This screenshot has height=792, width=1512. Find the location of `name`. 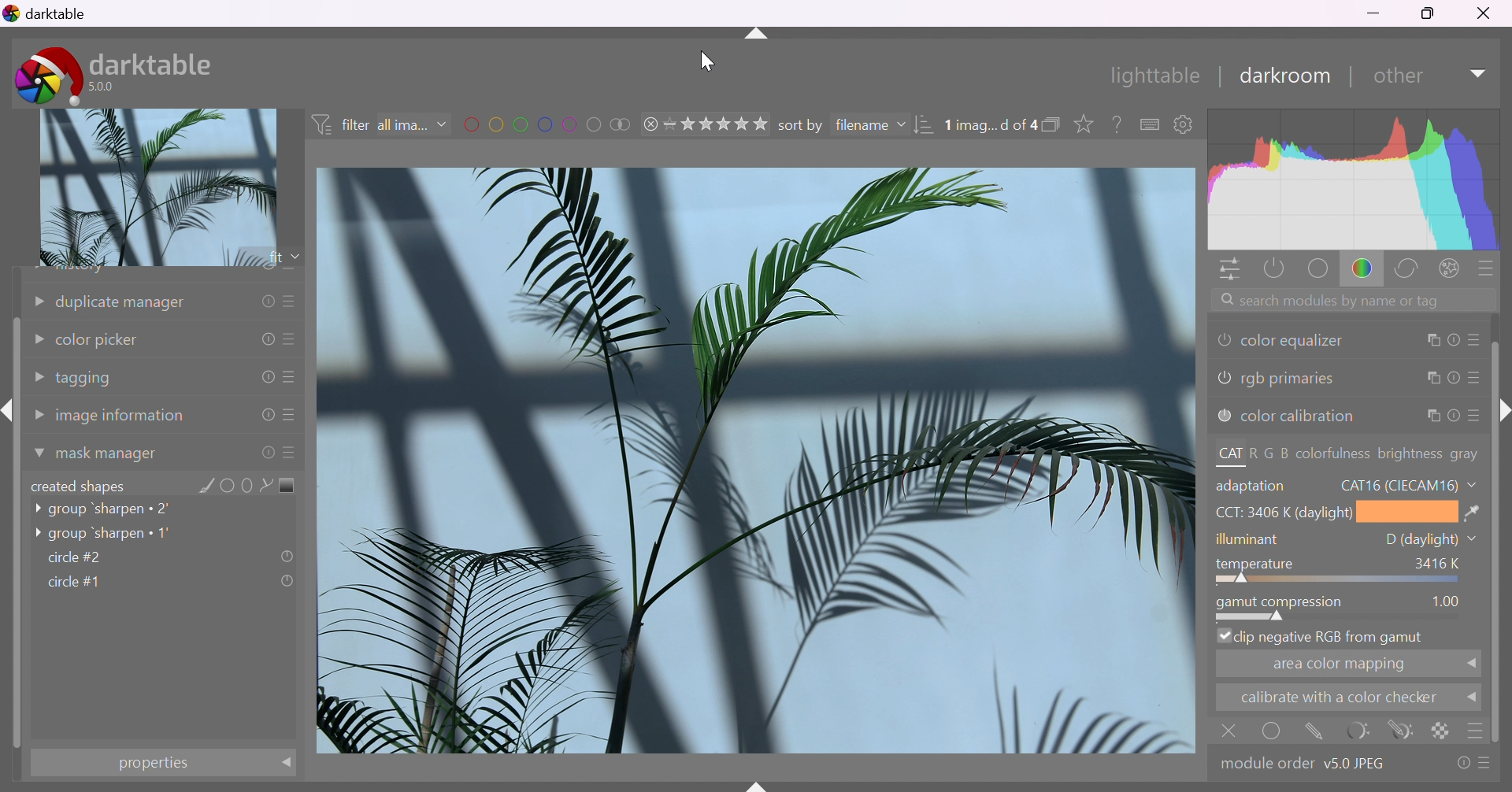

name is located at coordinates (763, 785).